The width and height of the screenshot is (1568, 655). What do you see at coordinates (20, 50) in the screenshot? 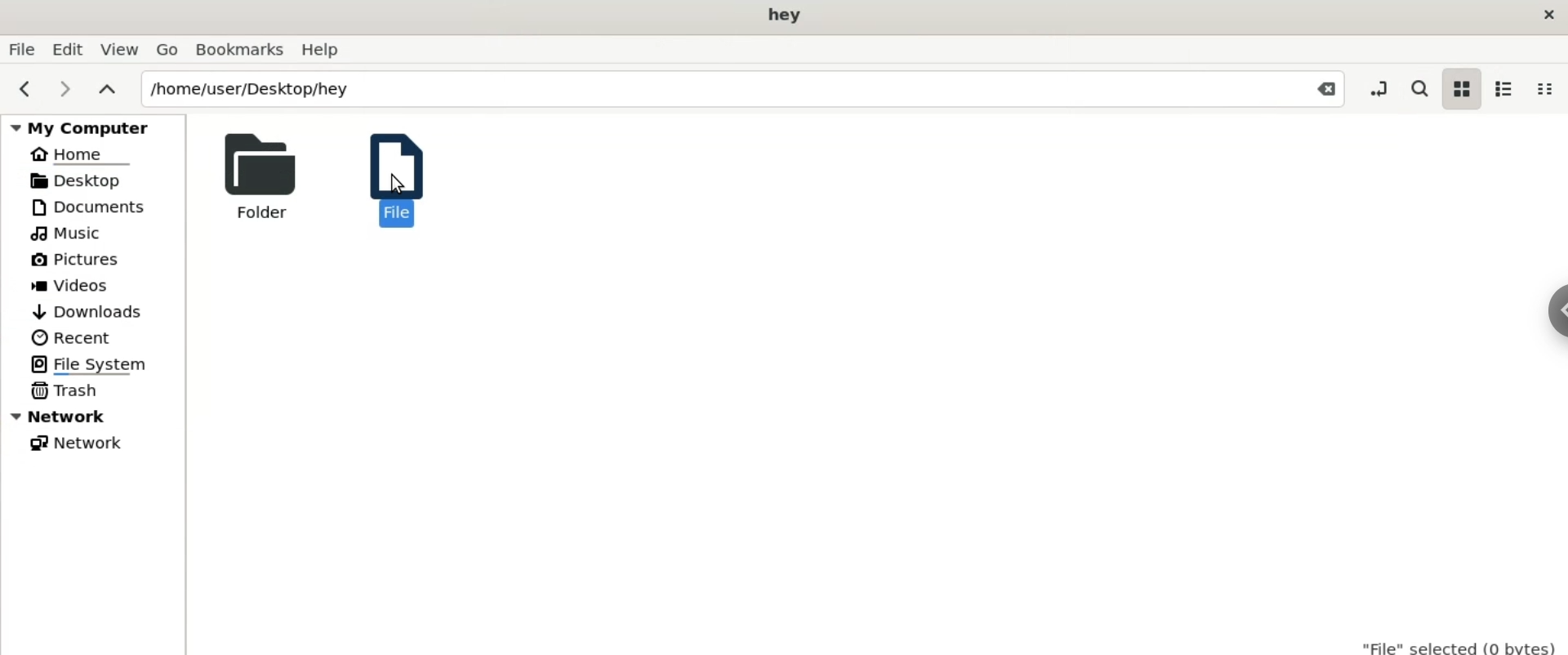
I see `file ` at bounding box center [20, 50].